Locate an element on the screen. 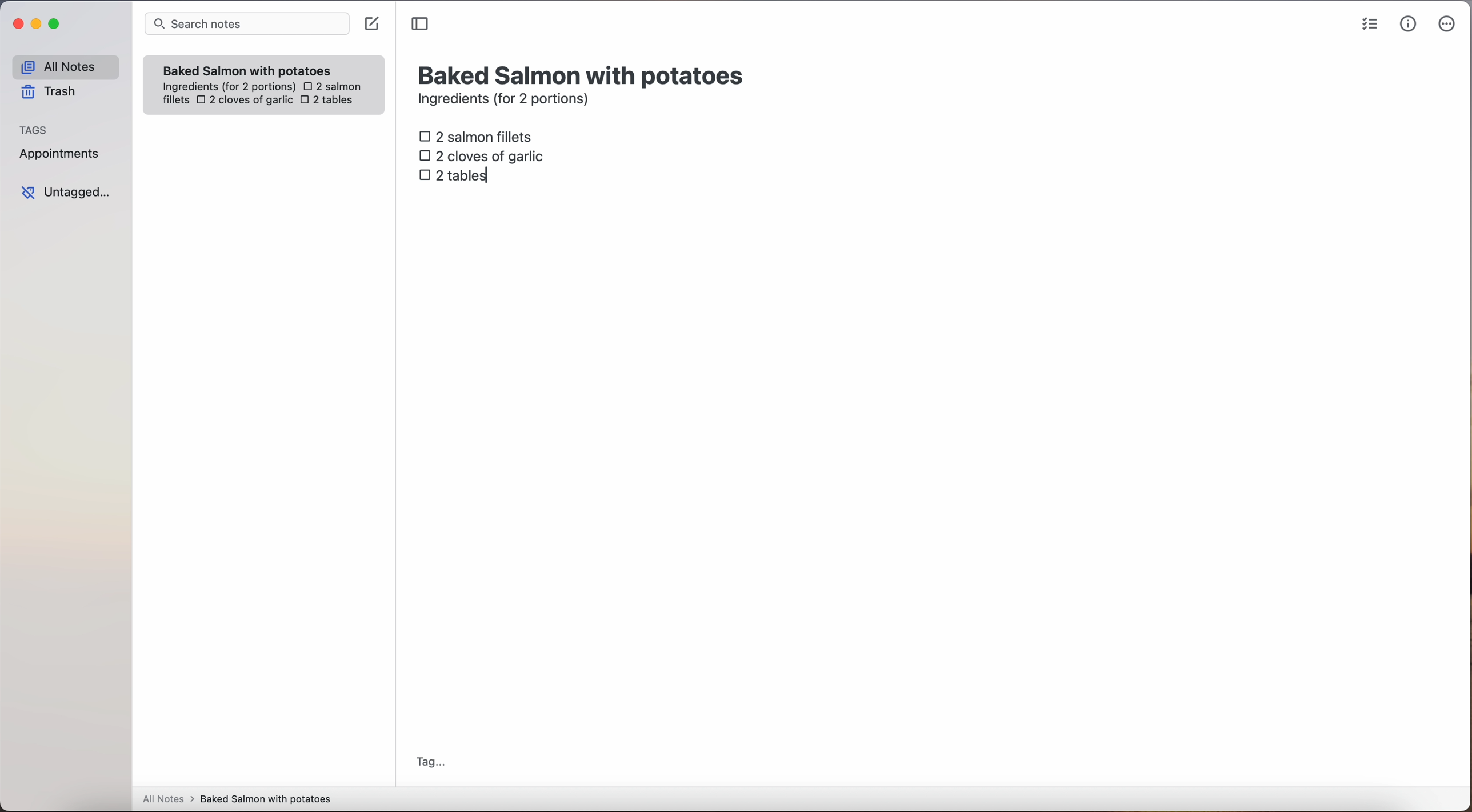 This screenshot has height=812, width=1472. more options is located at coordinates (1449, 25).